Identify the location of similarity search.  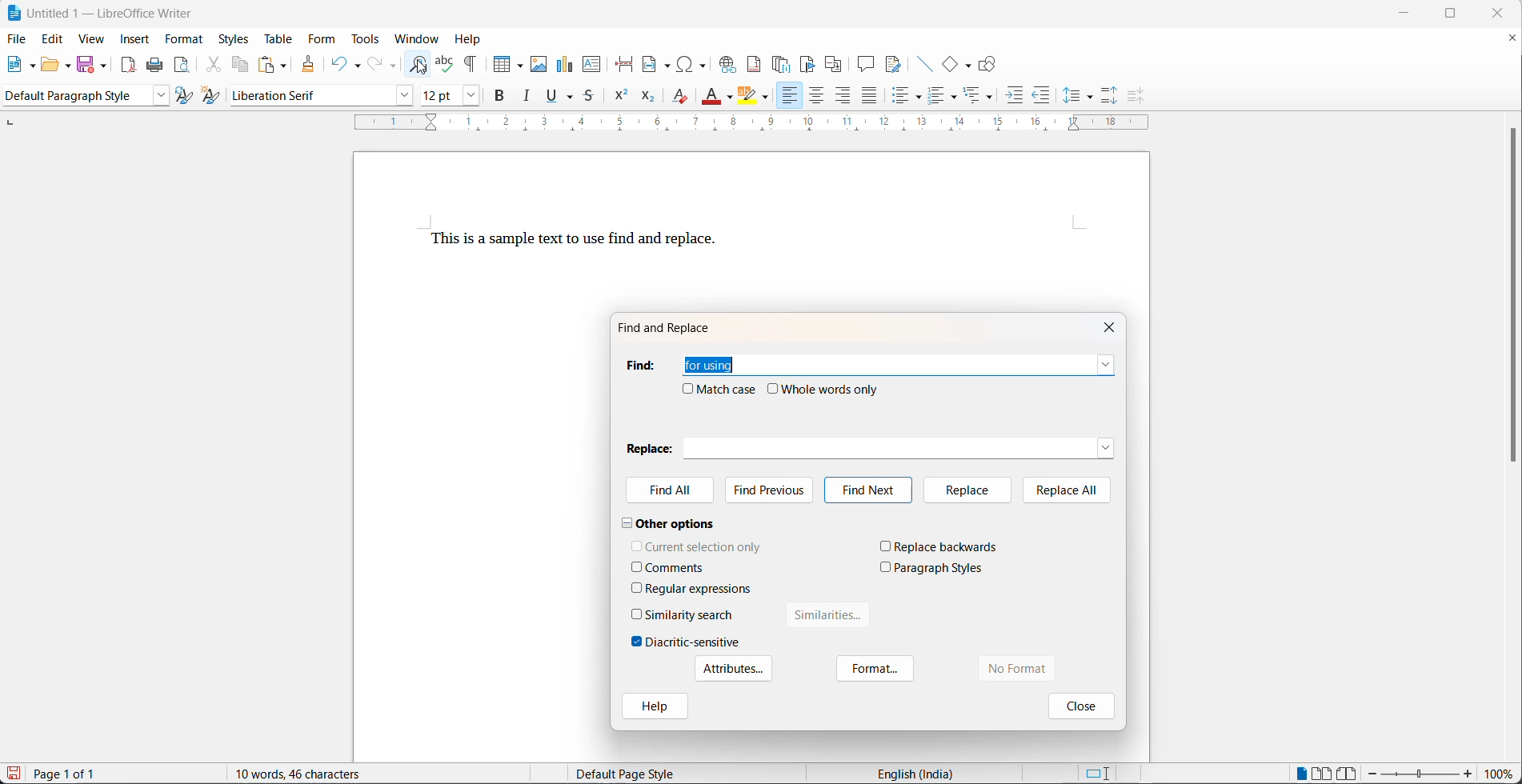
(690, 614).